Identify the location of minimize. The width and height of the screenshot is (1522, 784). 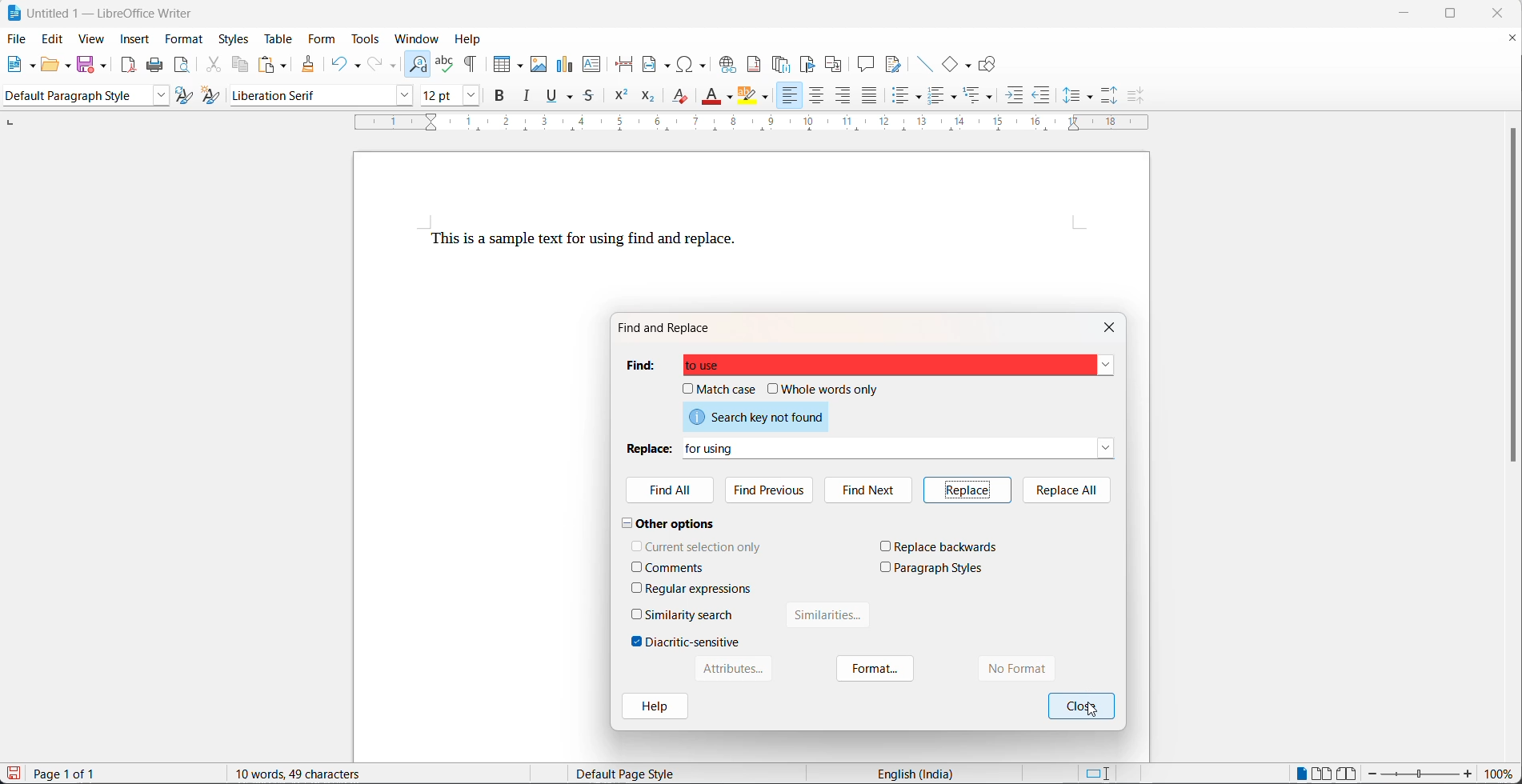
(1412, 12).